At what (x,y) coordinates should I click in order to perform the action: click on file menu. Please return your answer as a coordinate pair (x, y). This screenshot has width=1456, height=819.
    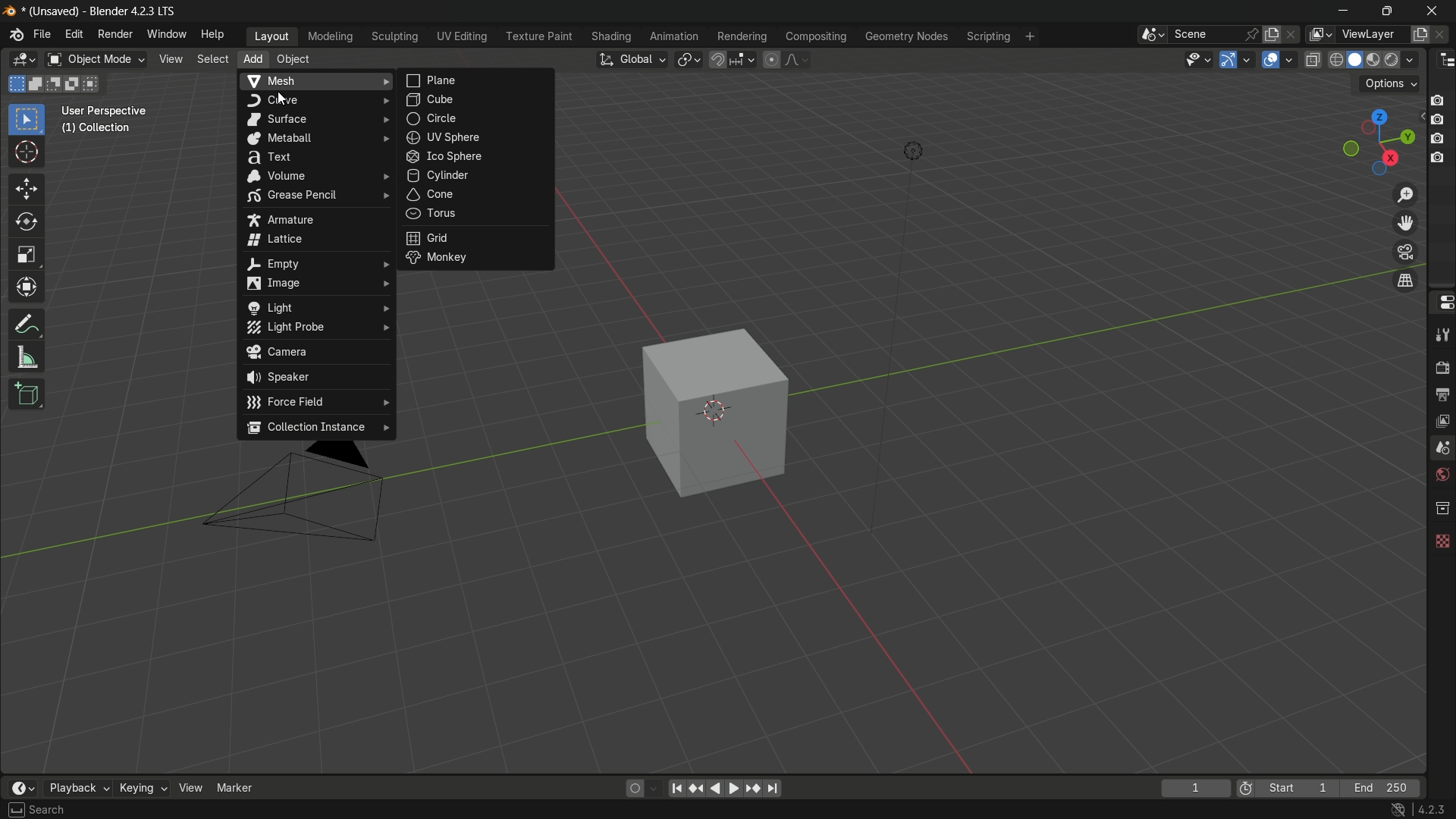
    Looking at the image, I should click on (42, 35).